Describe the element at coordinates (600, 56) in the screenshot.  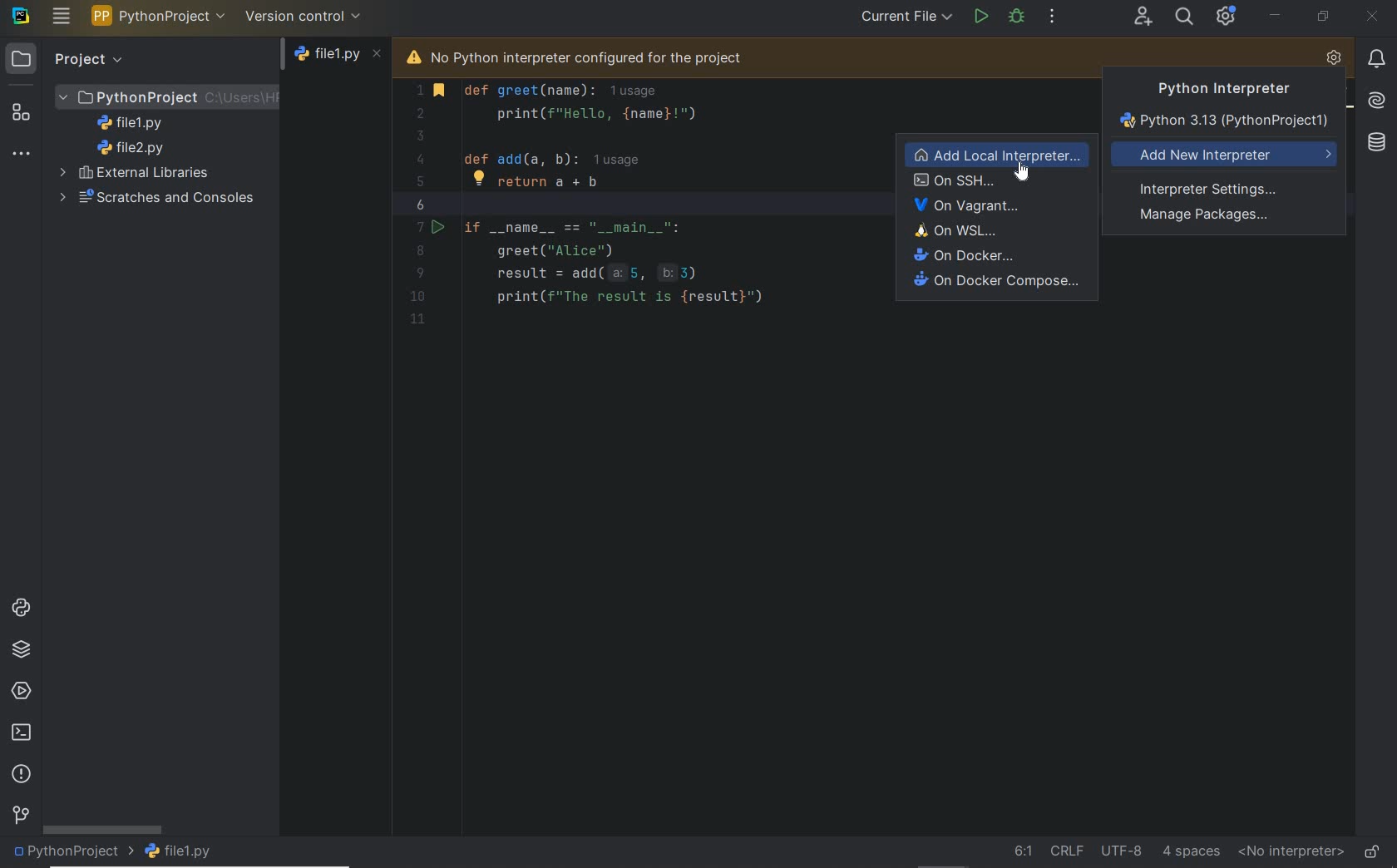
I see `No python interpreter configured for the project` at that location.